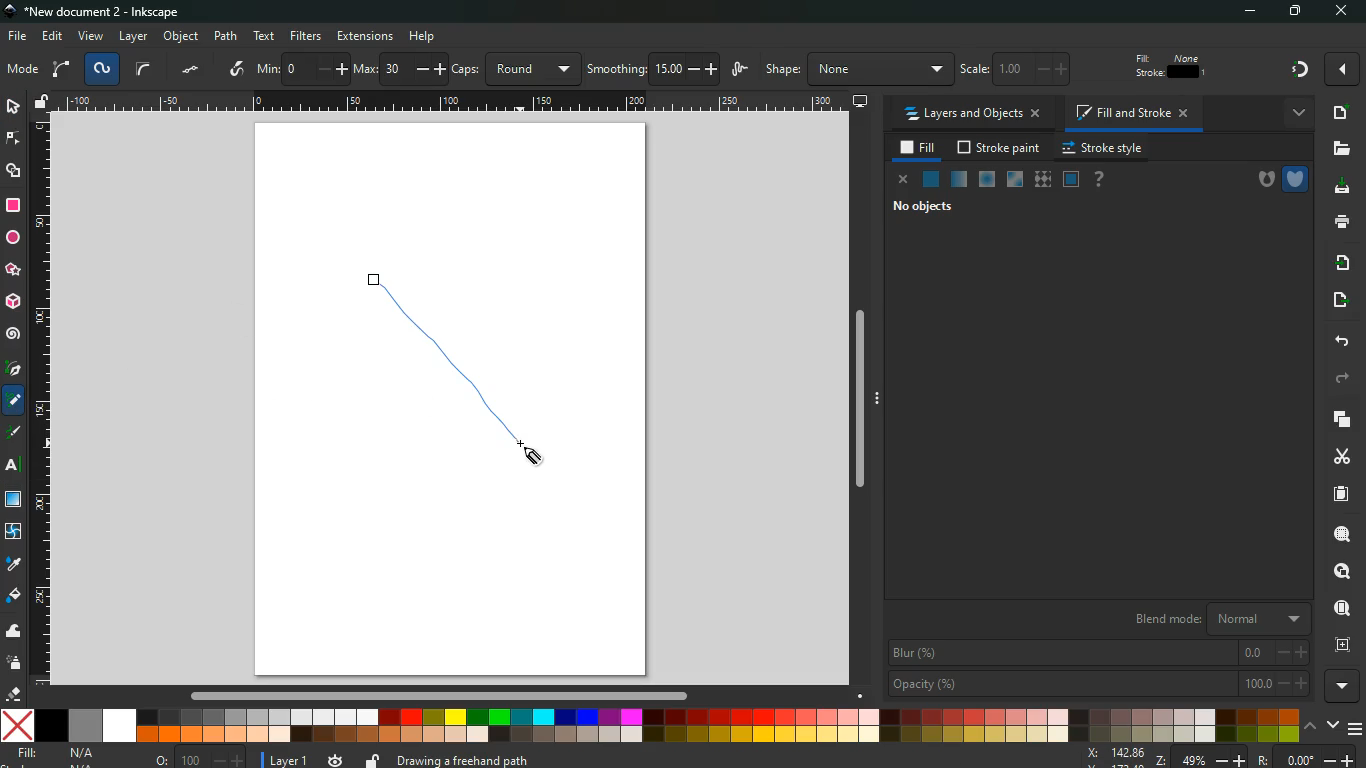 The image size is (1366, 768). What do you see at coordinates (1339, 457) in the screenshot?
I see `cut` at bounding box center [1339, 457].